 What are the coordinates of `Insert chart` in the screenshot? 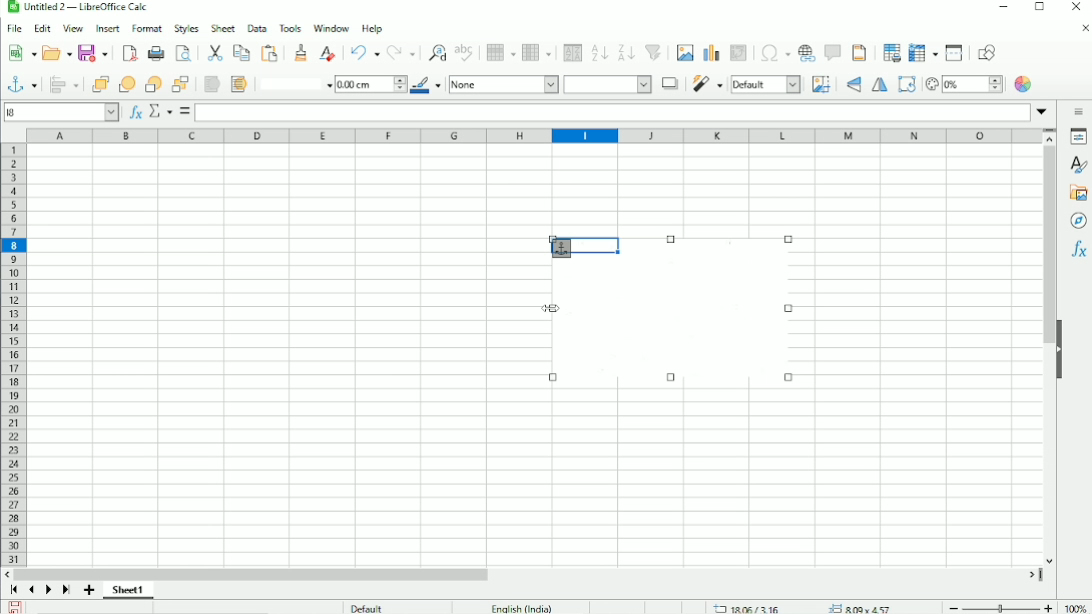 It's located at (710, 52).